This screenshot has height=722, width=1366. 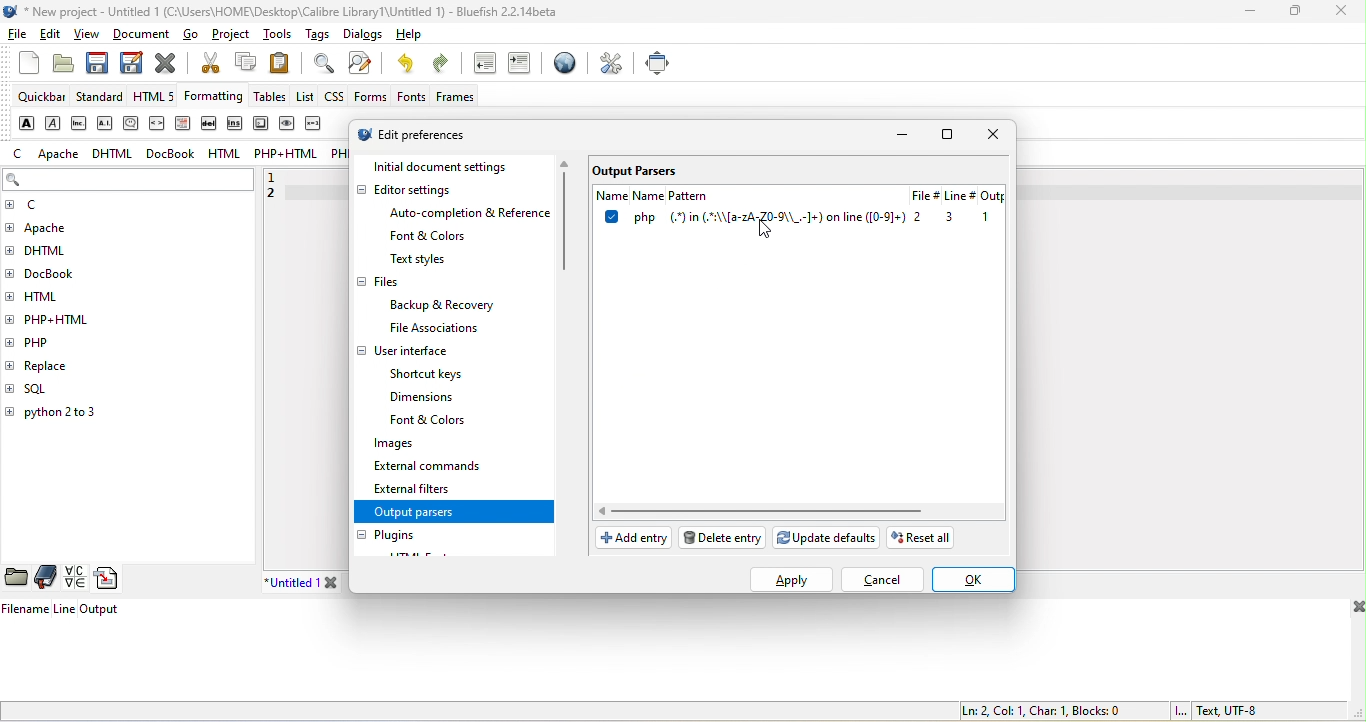 What do you see at coordinates (53, 123) in the screenshot?
I see `emphasis` at bounding box center [53, 123].